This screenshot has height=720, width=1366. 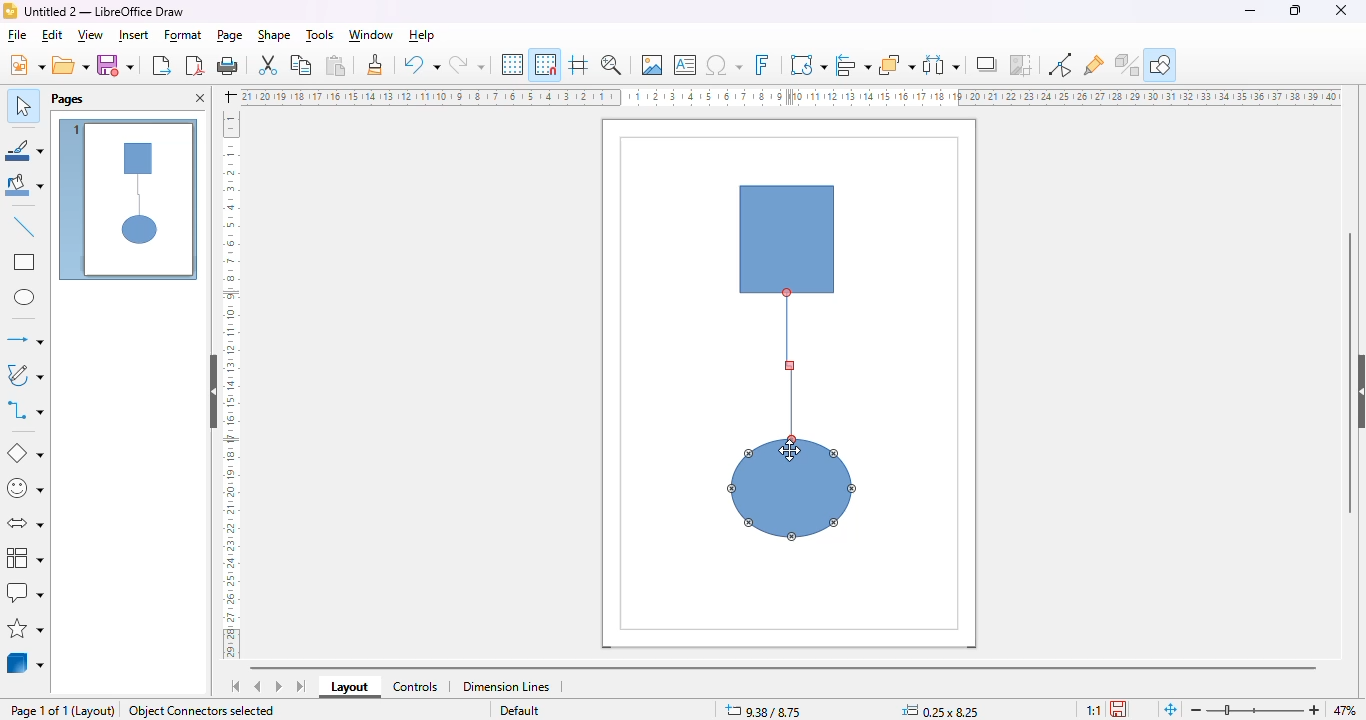 What do you see at coordinates (988, 65) in the screenshot?
I see `shadow` at bounding box center [988, 65].